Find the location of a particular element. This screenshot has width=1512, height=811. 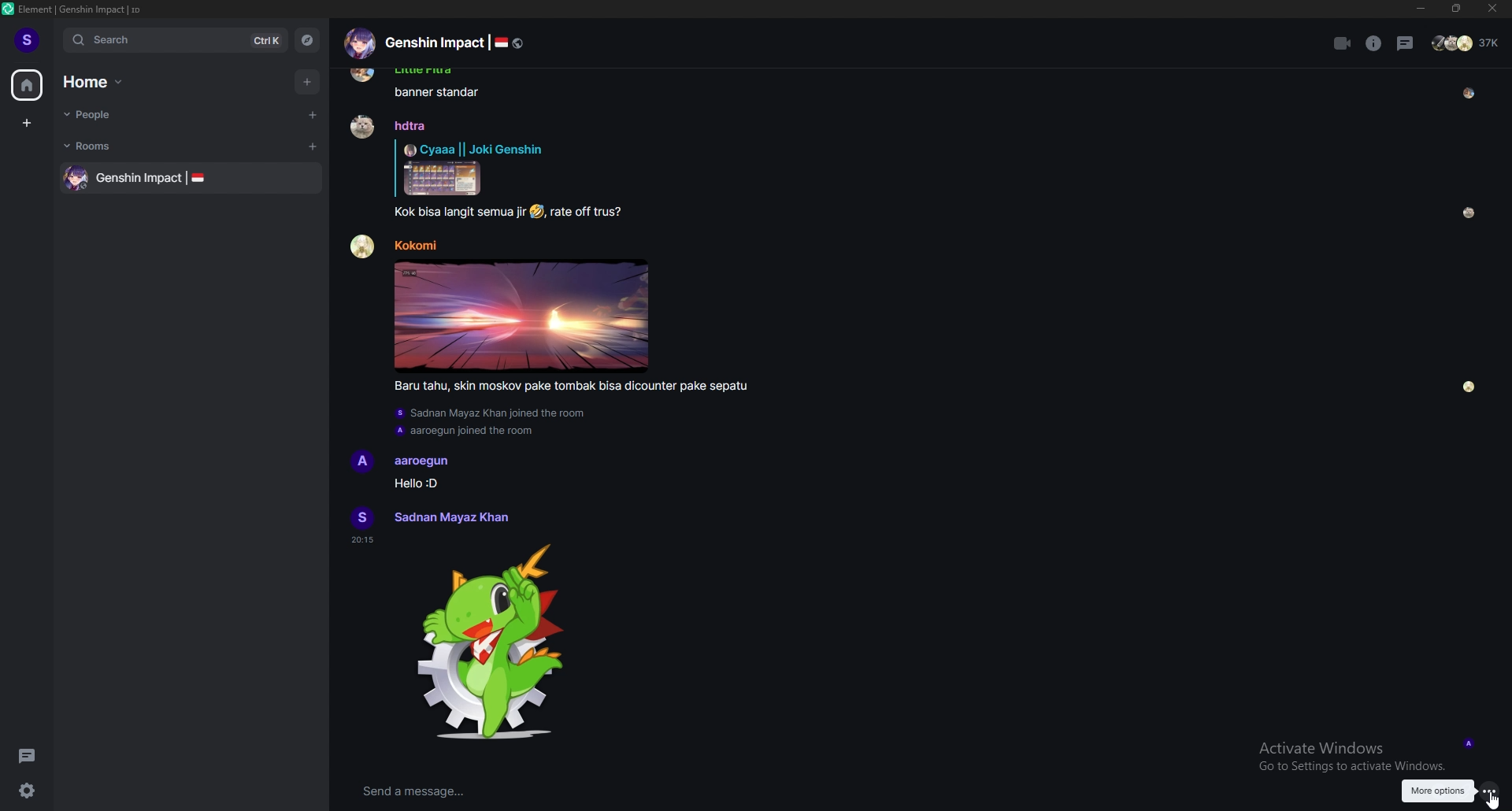

banner standar is located at coordinates (437, 92).